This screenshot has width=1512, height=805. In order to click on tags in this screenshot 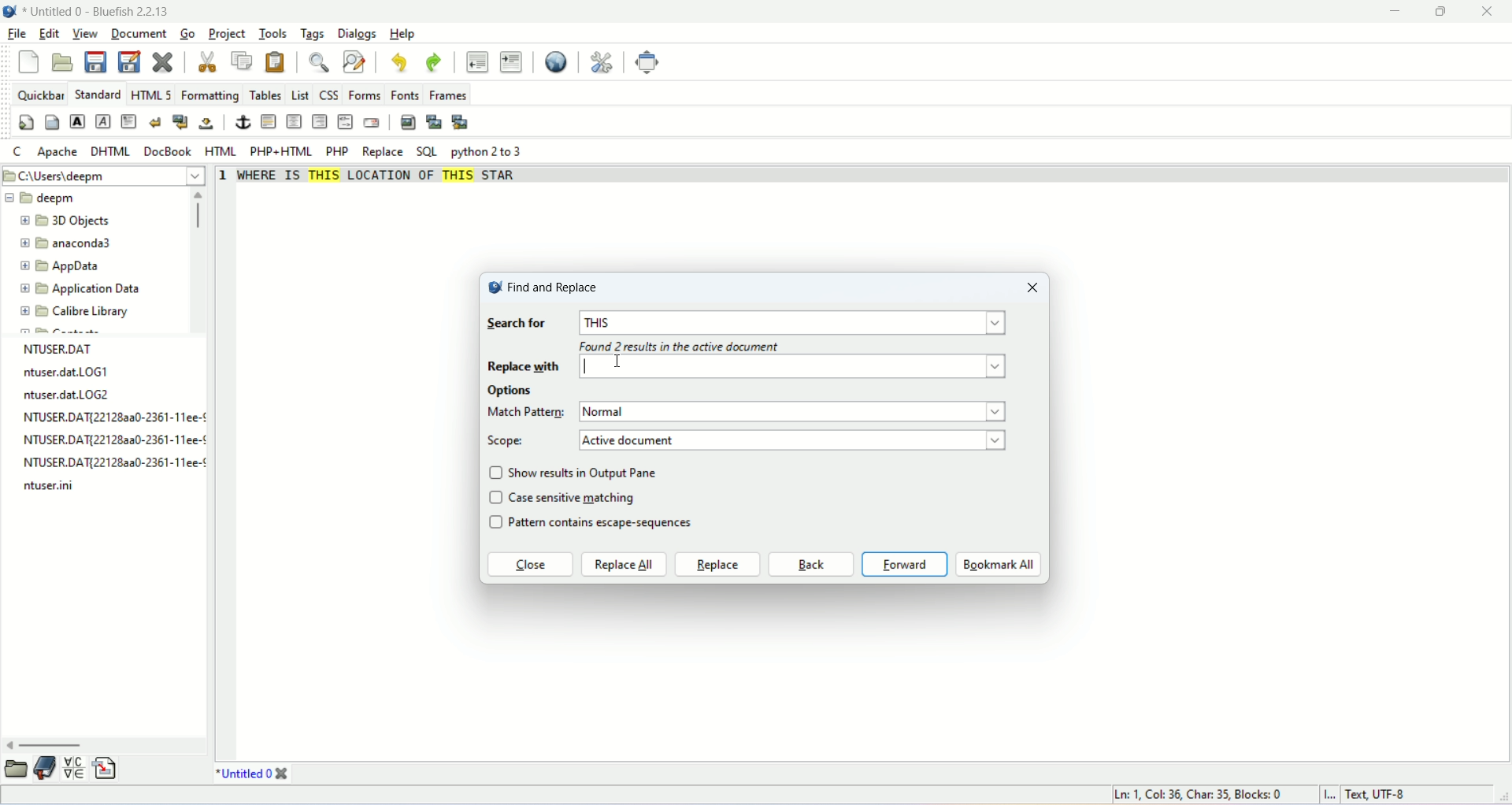, I will do `click(310, 34)`.